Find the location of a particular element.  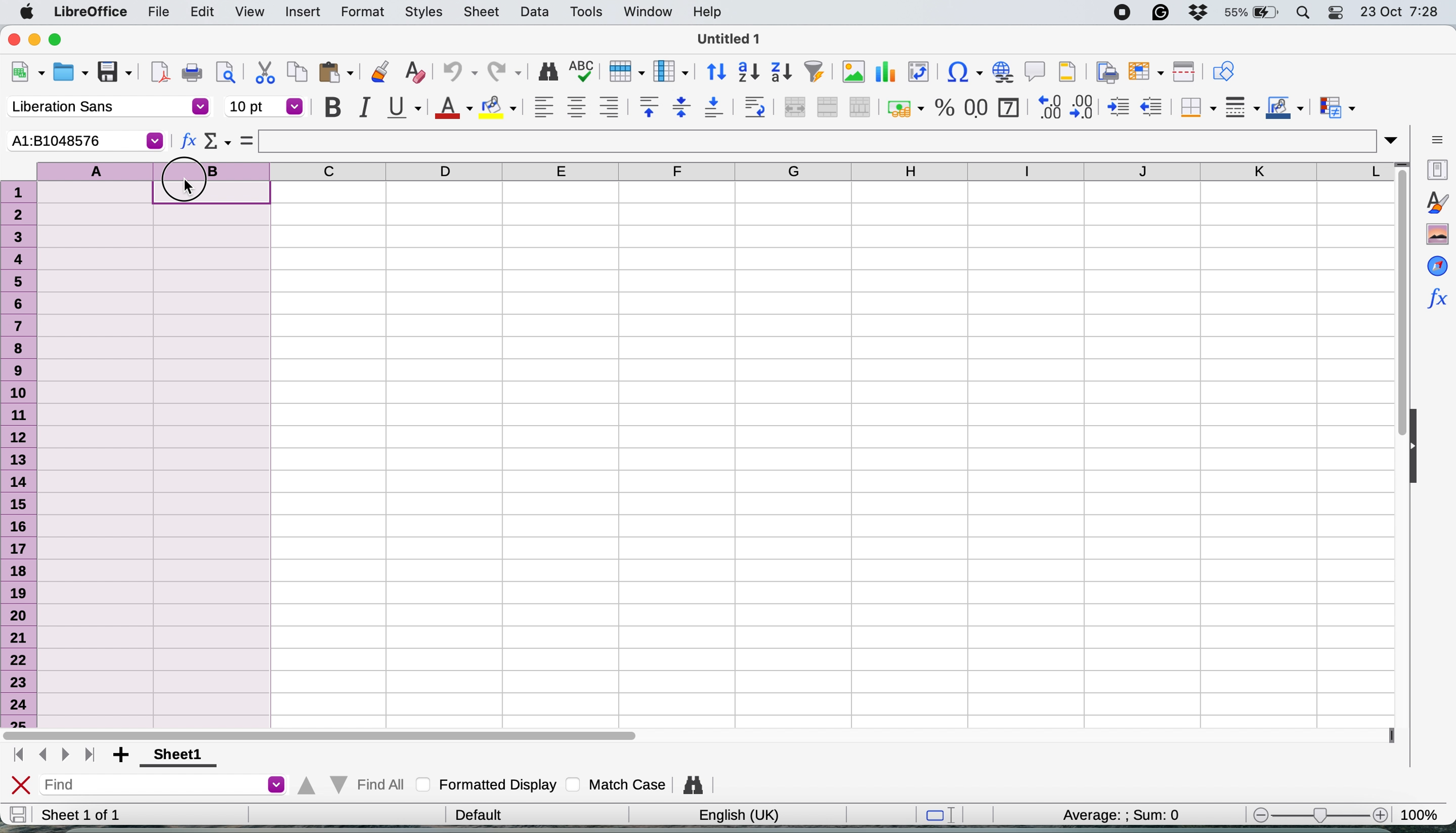

help is located at coordinates (705, 13).